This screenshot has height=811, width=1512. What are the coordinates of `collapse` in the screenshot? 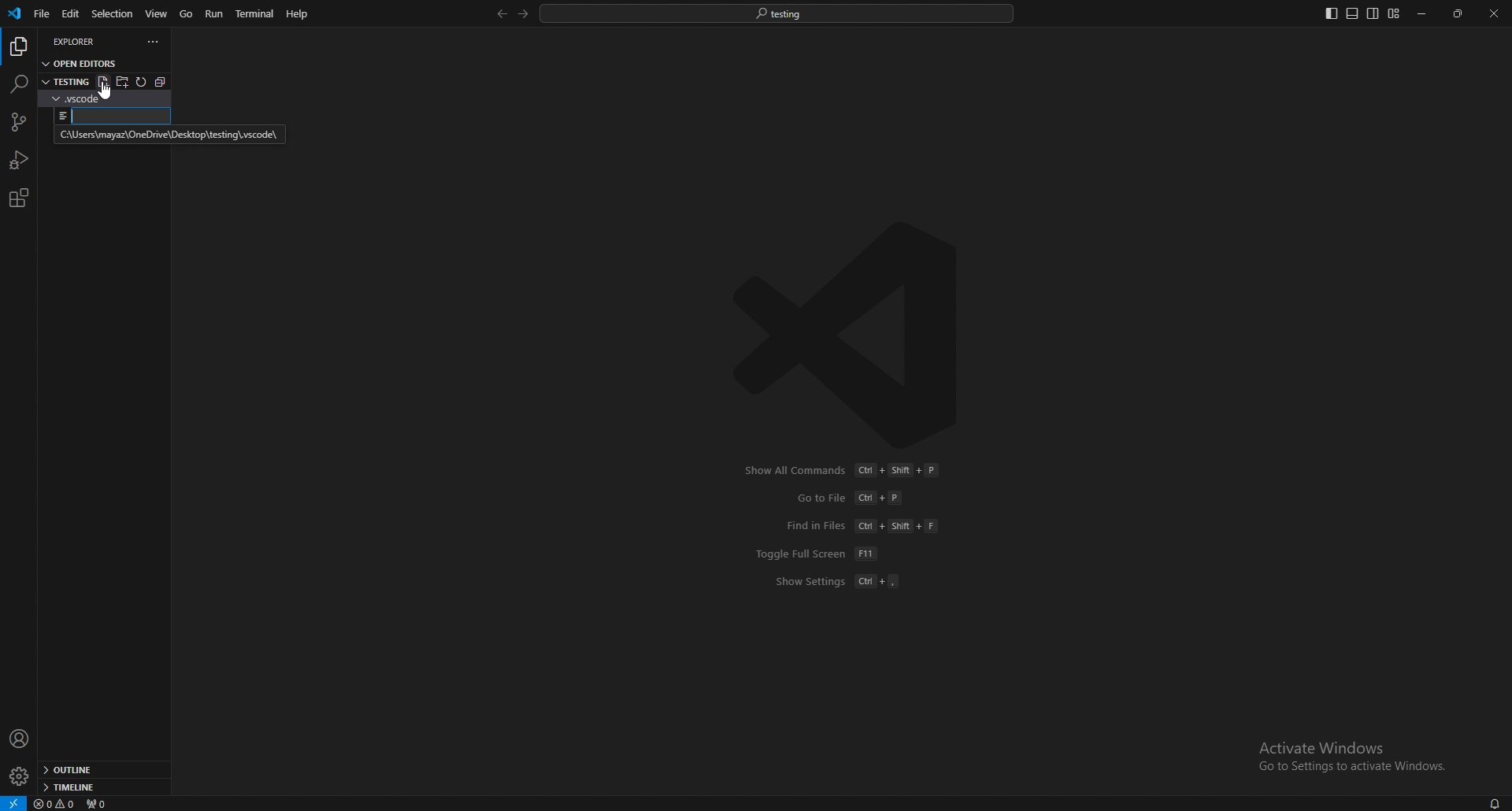 It's located at (165, 81).